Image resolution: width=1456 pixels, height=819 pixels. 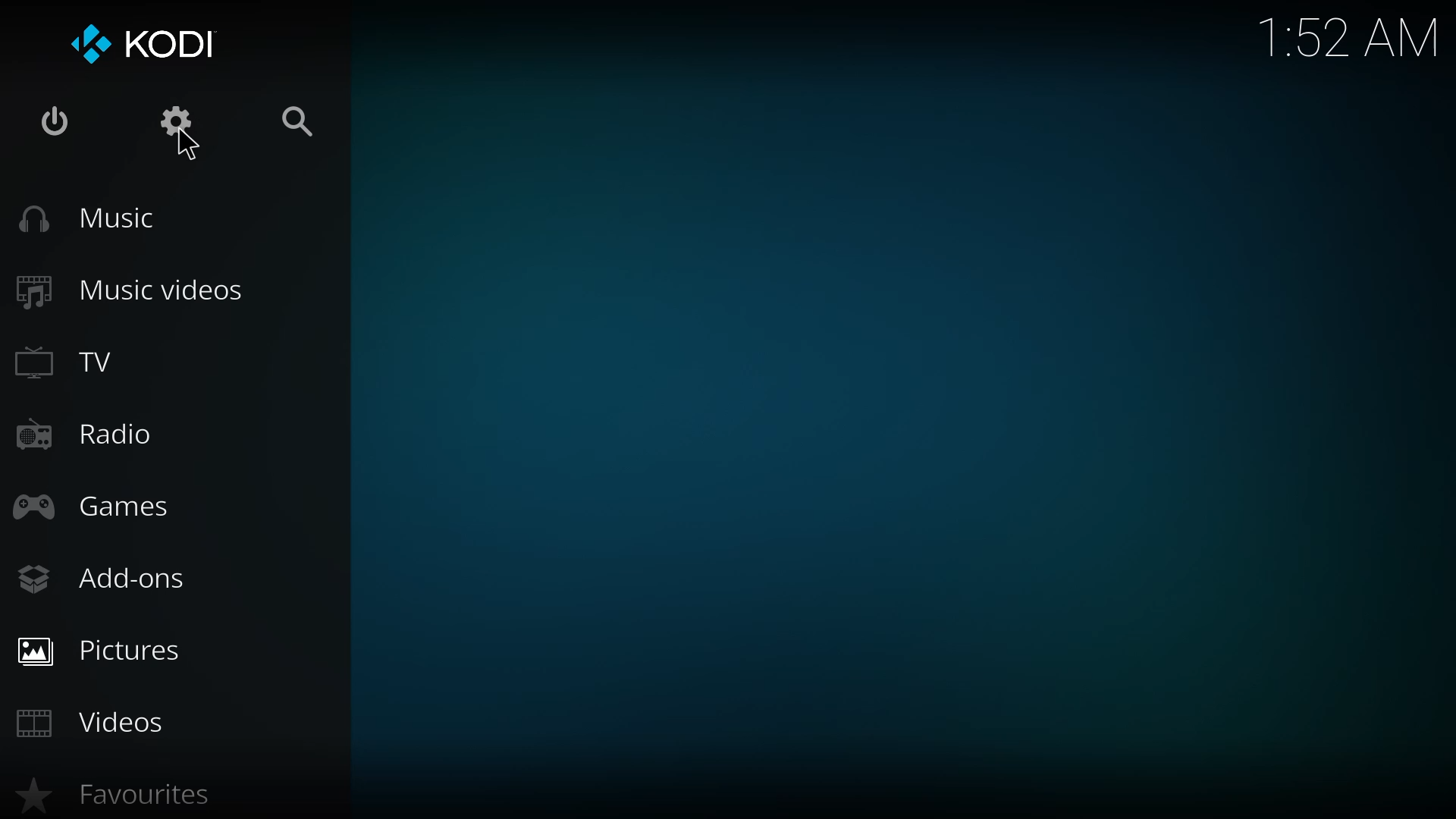 I want to click on videos, so click(x=93, y=720).